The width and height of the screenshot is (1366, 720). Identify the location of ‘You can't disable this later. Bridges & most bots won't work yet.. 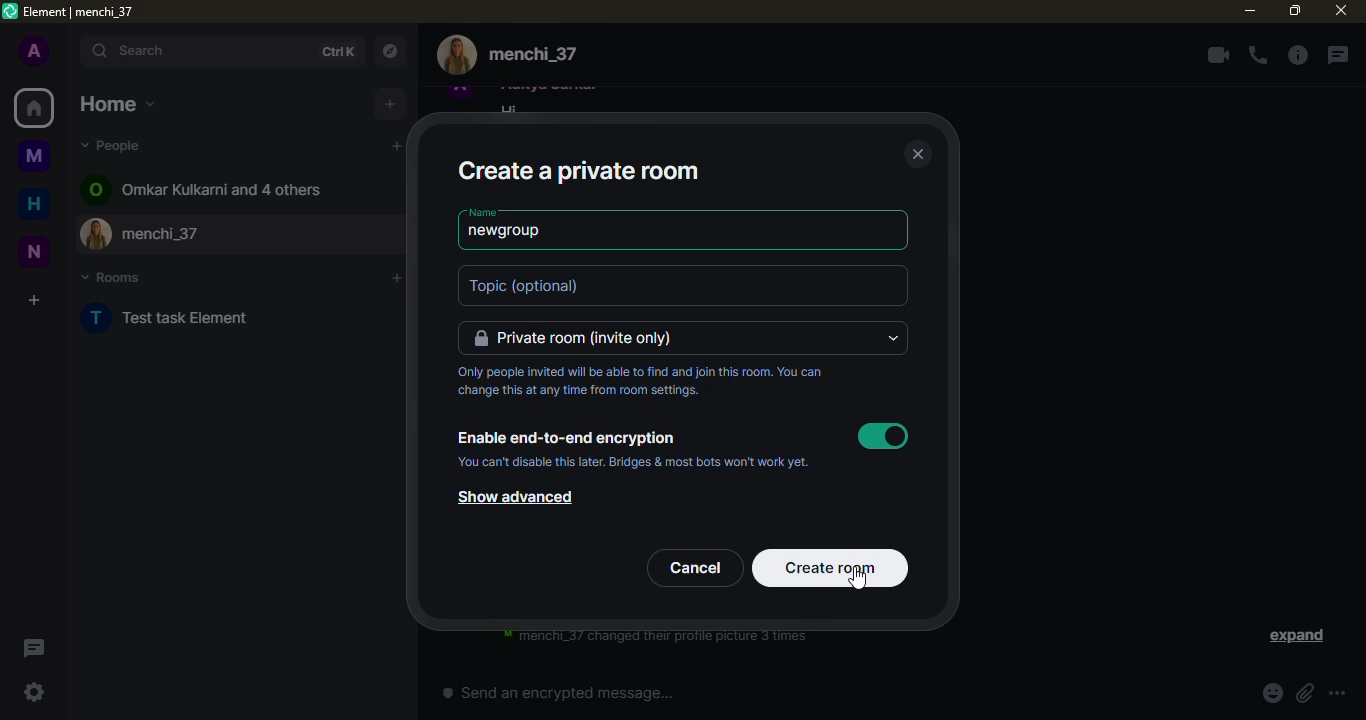
(633, 462).